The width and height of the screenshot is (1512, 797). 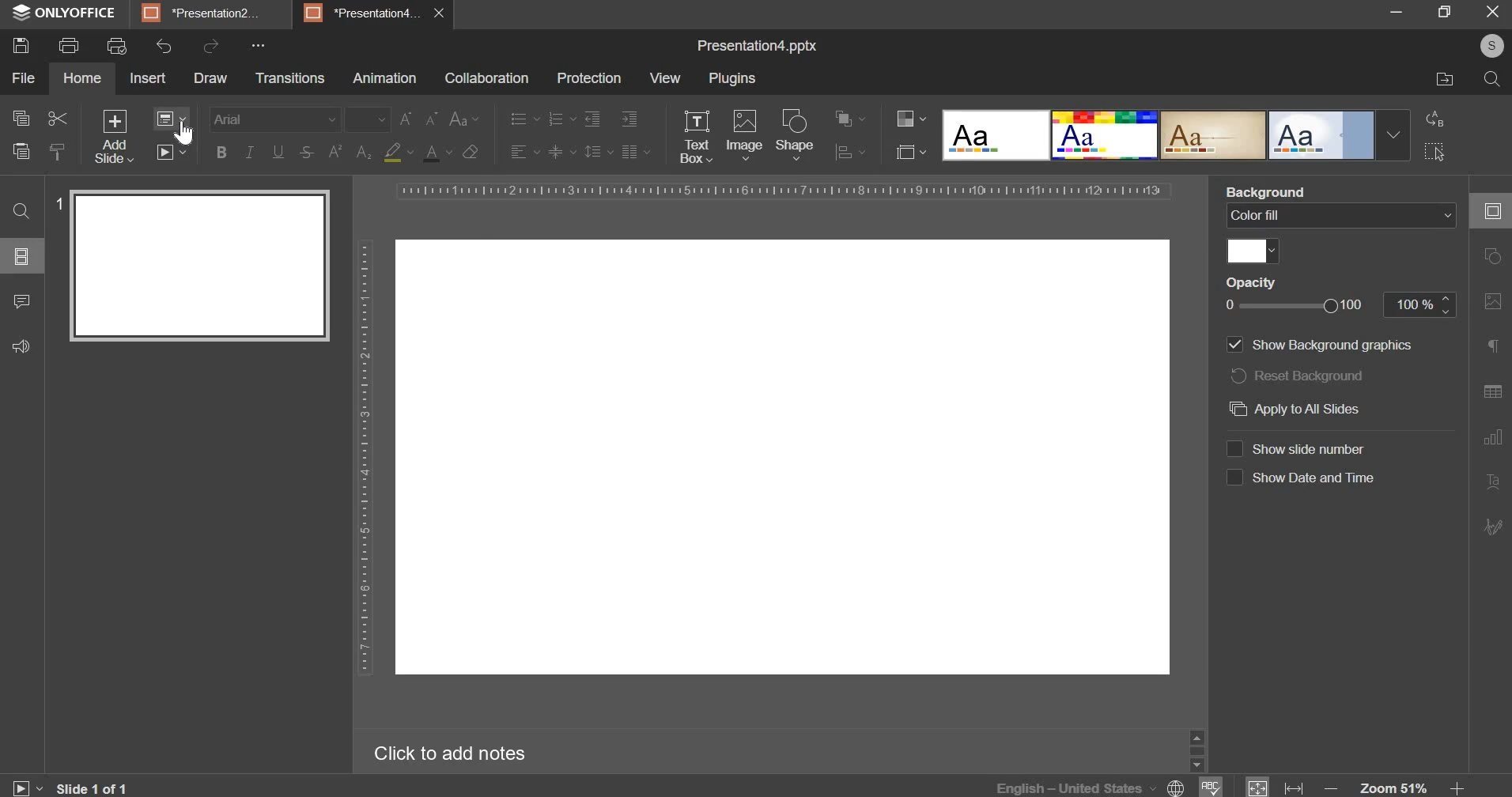 I want to click on print, so click(x=67, y=46).